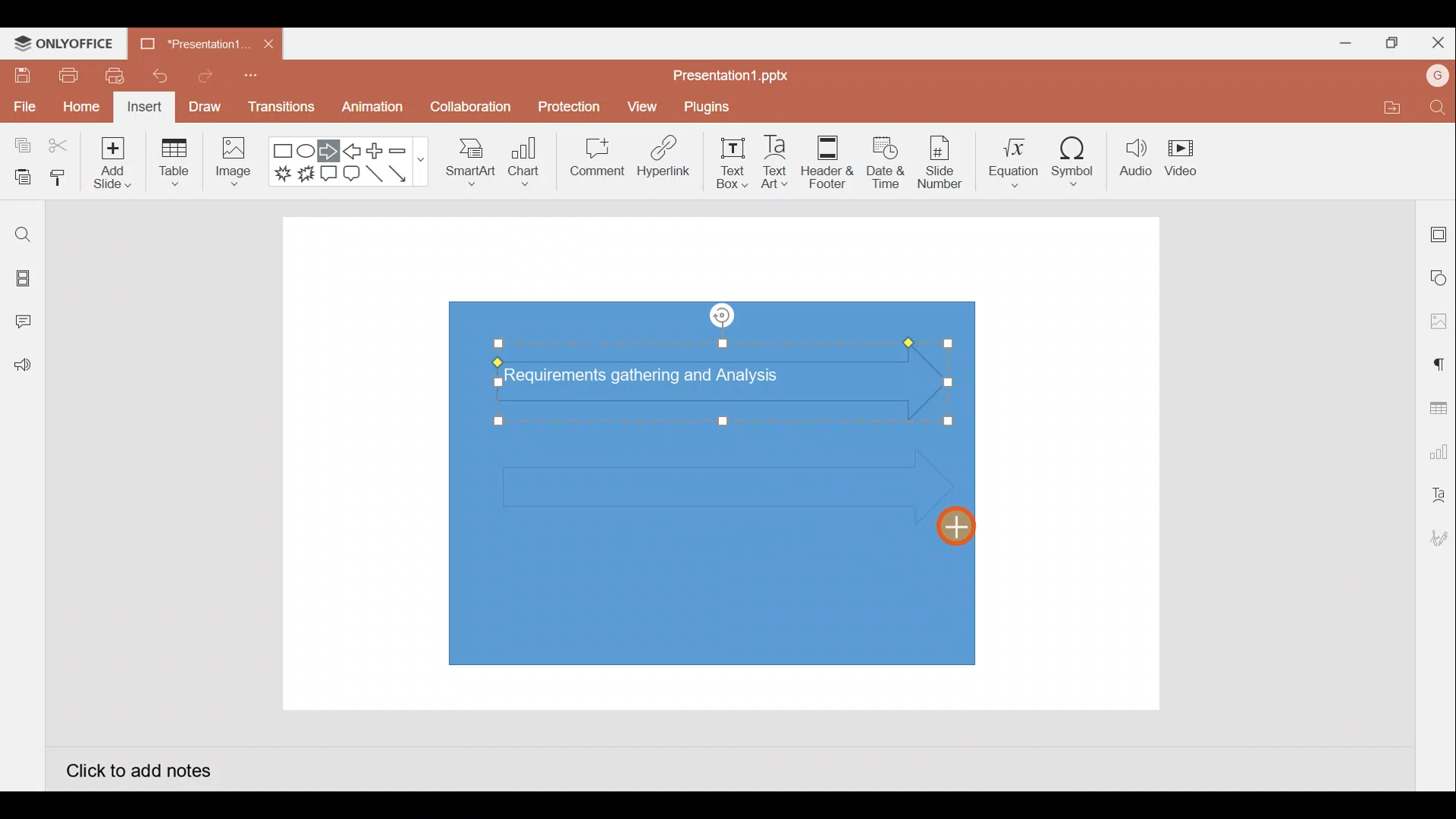 Image resolution: width=1456 pixels, height=819 pixels. Describe the element at coordinates (378, 151) in the screenshot. I see `Plus` at that location.